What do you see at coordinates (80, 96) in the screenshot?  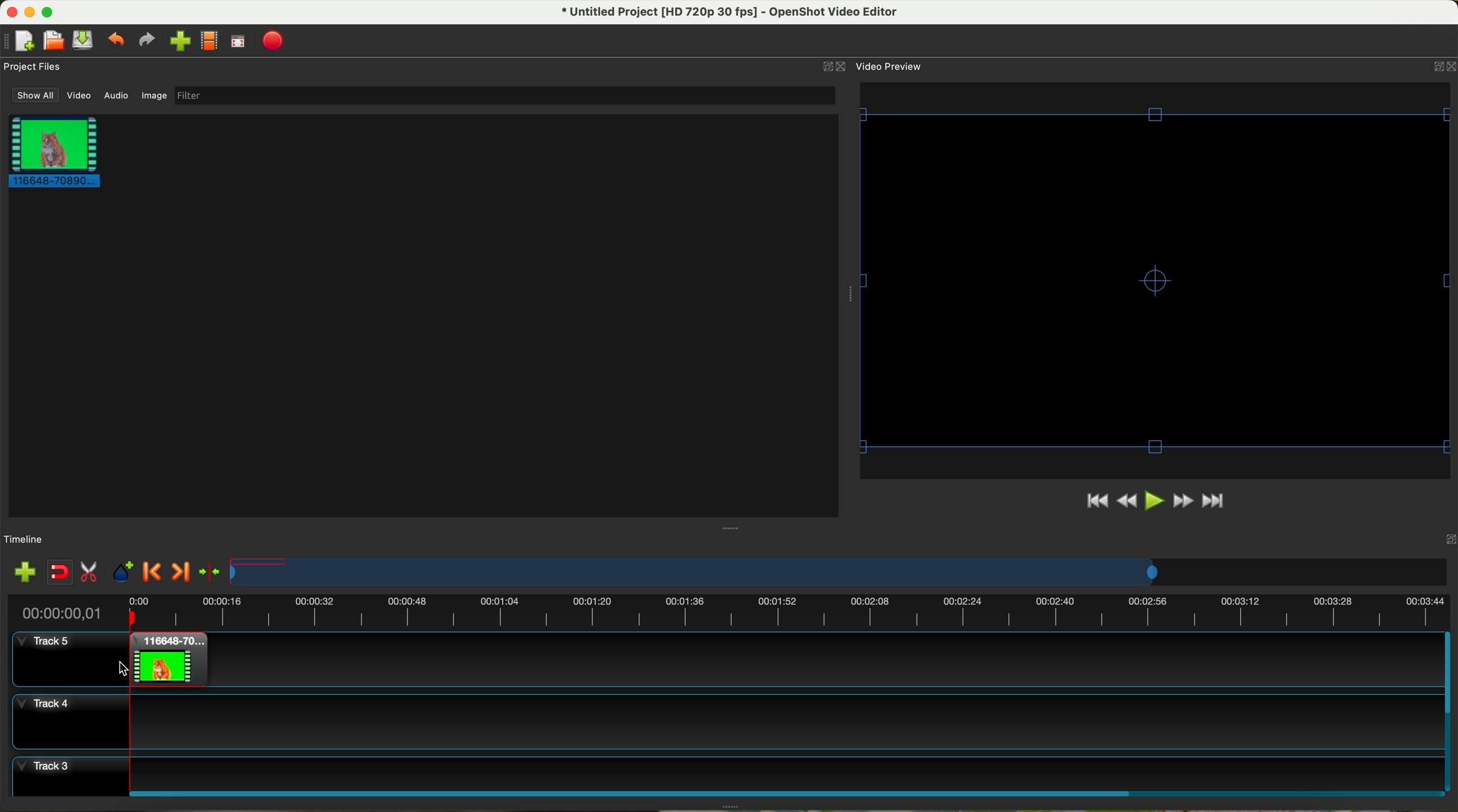 I see `video` at bounding box center [80, 96].